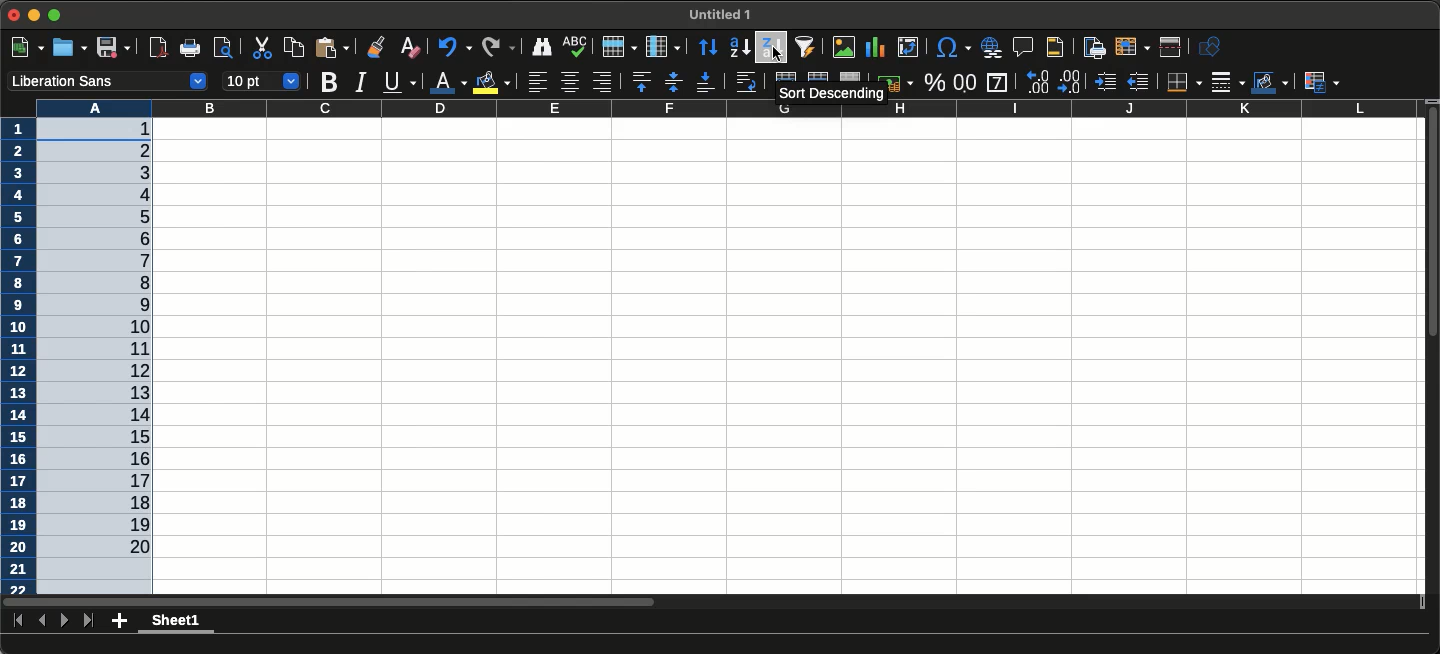 The image size is (1440, 654). What do you see at coordinates (134, 436) in the screenshot?
I see `15` at bounding box center [134, 436].